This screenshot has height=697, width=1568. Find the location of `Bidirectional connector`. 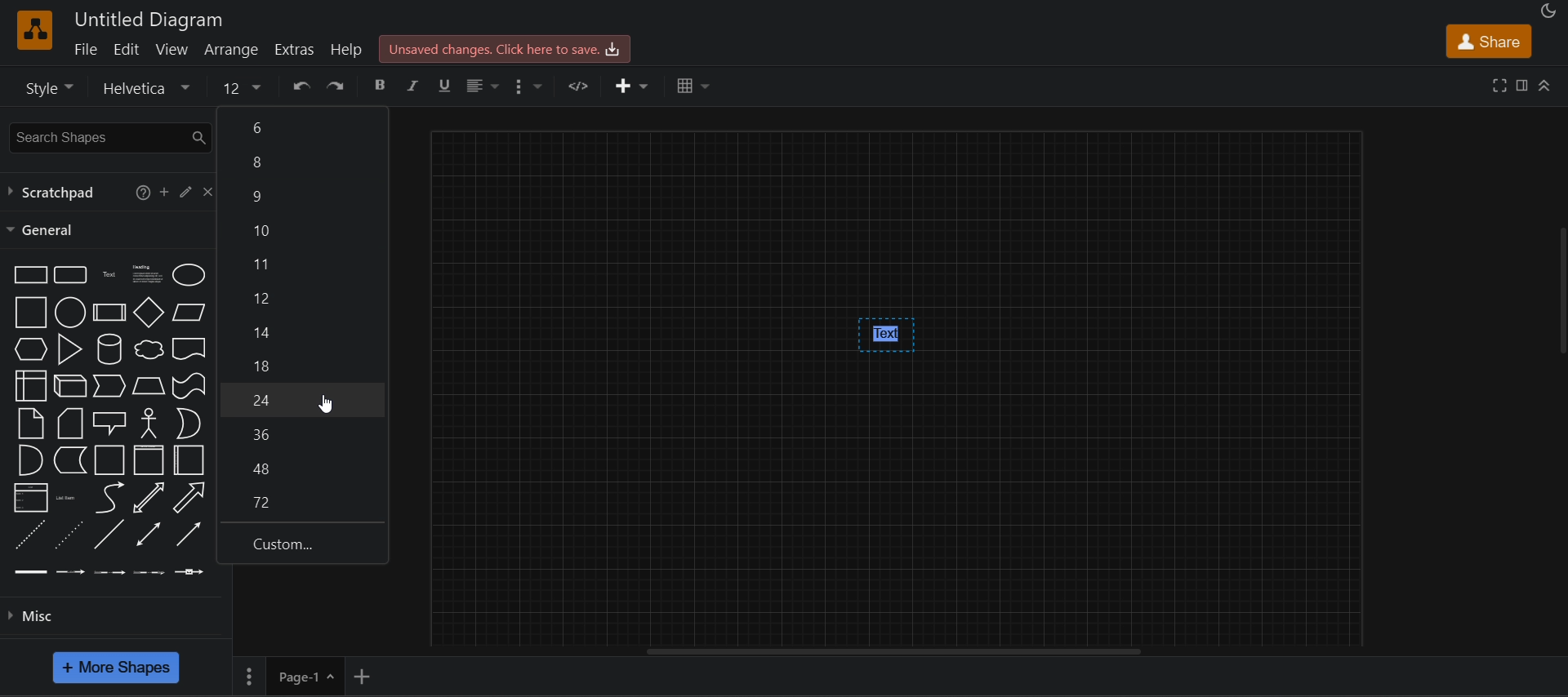

Bidirectional connector is located at coordinates (149, 534).